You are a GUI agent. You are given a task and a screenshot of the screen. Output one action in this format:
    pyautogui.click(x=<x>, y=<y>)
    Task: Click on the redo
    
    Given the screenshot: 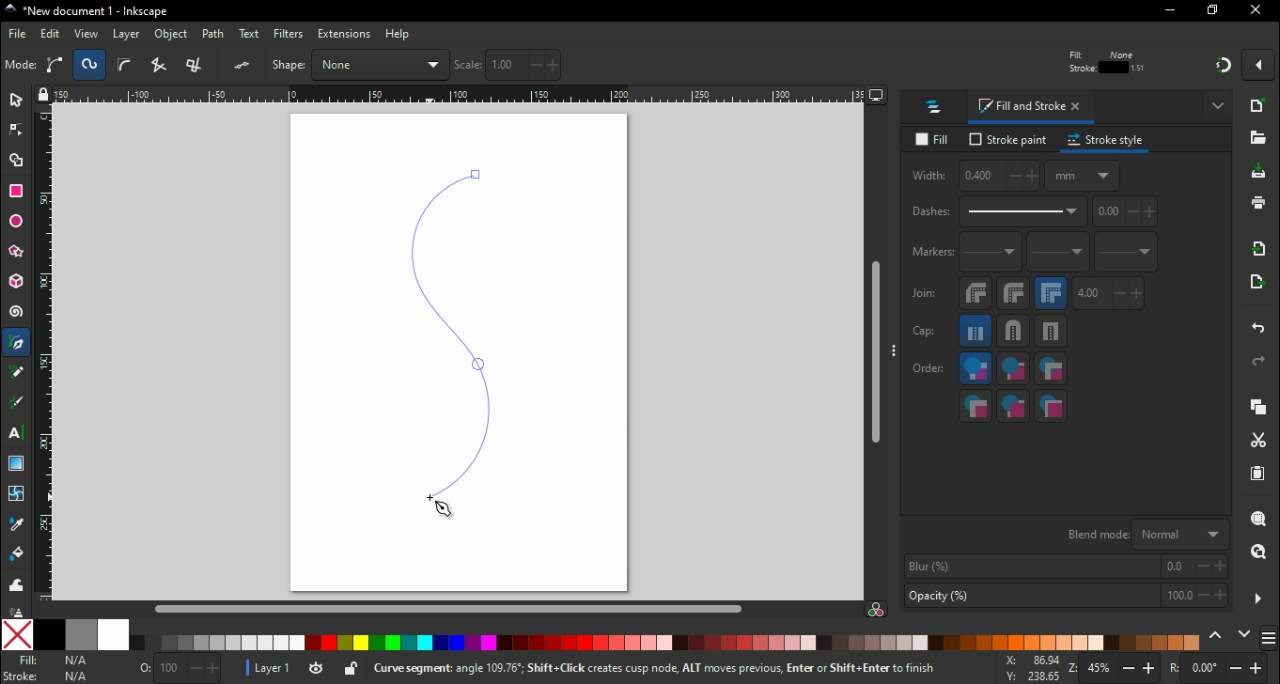 What is the action you would take?
    pyautogui.click(x=1262, y=363)
    